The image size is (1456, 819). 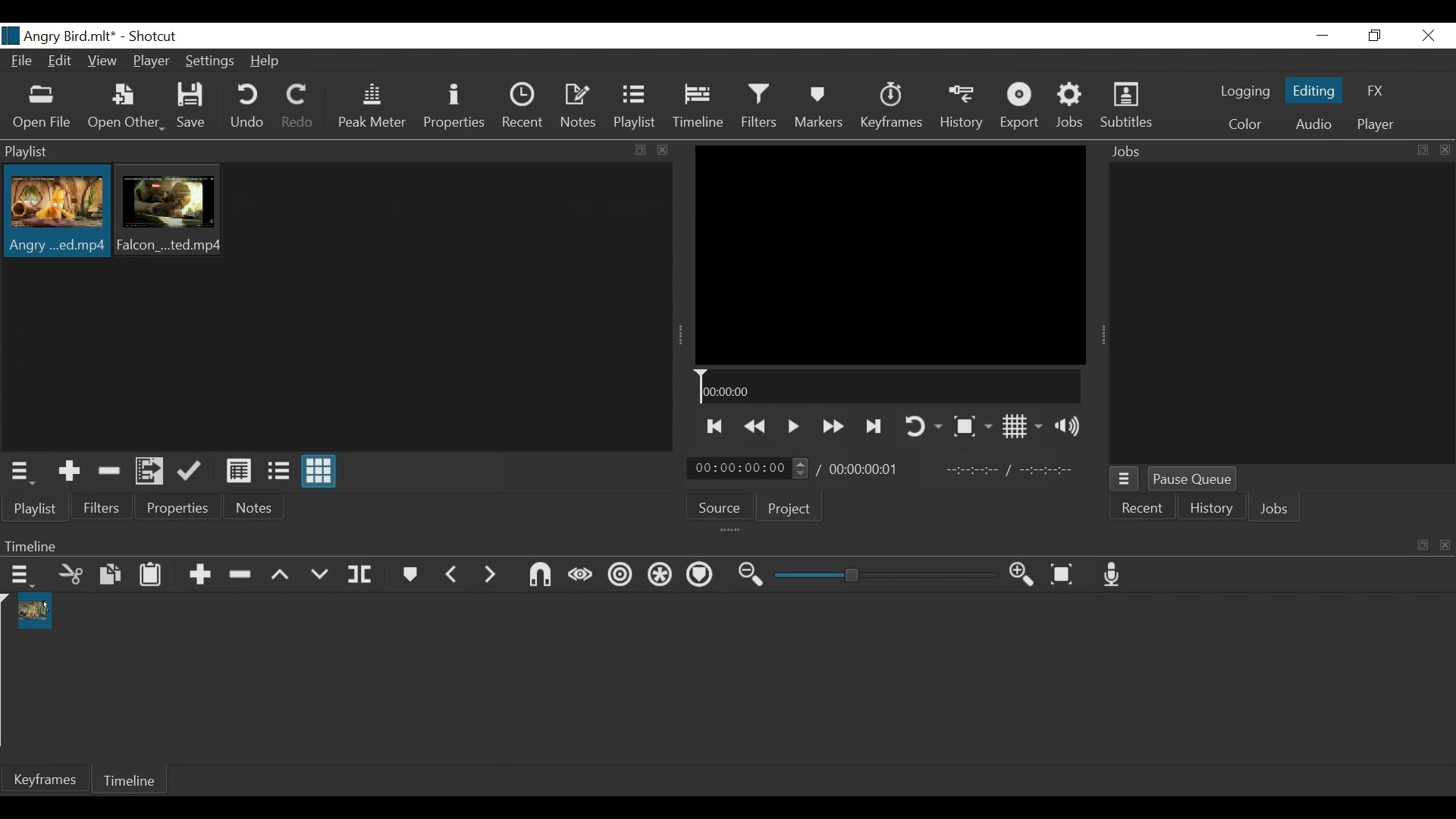 I want to click on FX, so click(x=1376, y=91).